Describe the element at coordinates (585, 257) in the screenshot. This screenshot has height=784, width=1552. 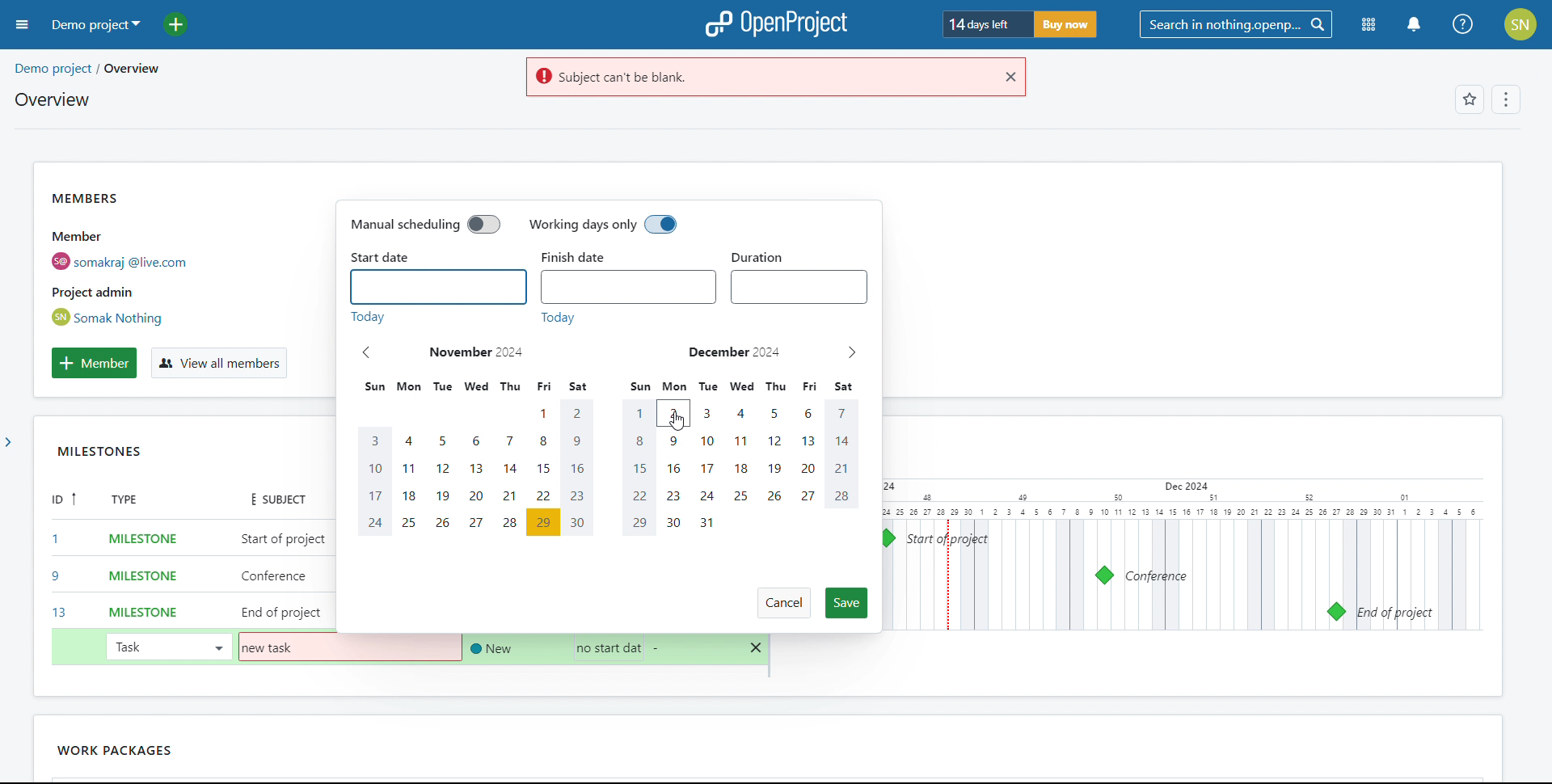
I see `finish date` at that location.